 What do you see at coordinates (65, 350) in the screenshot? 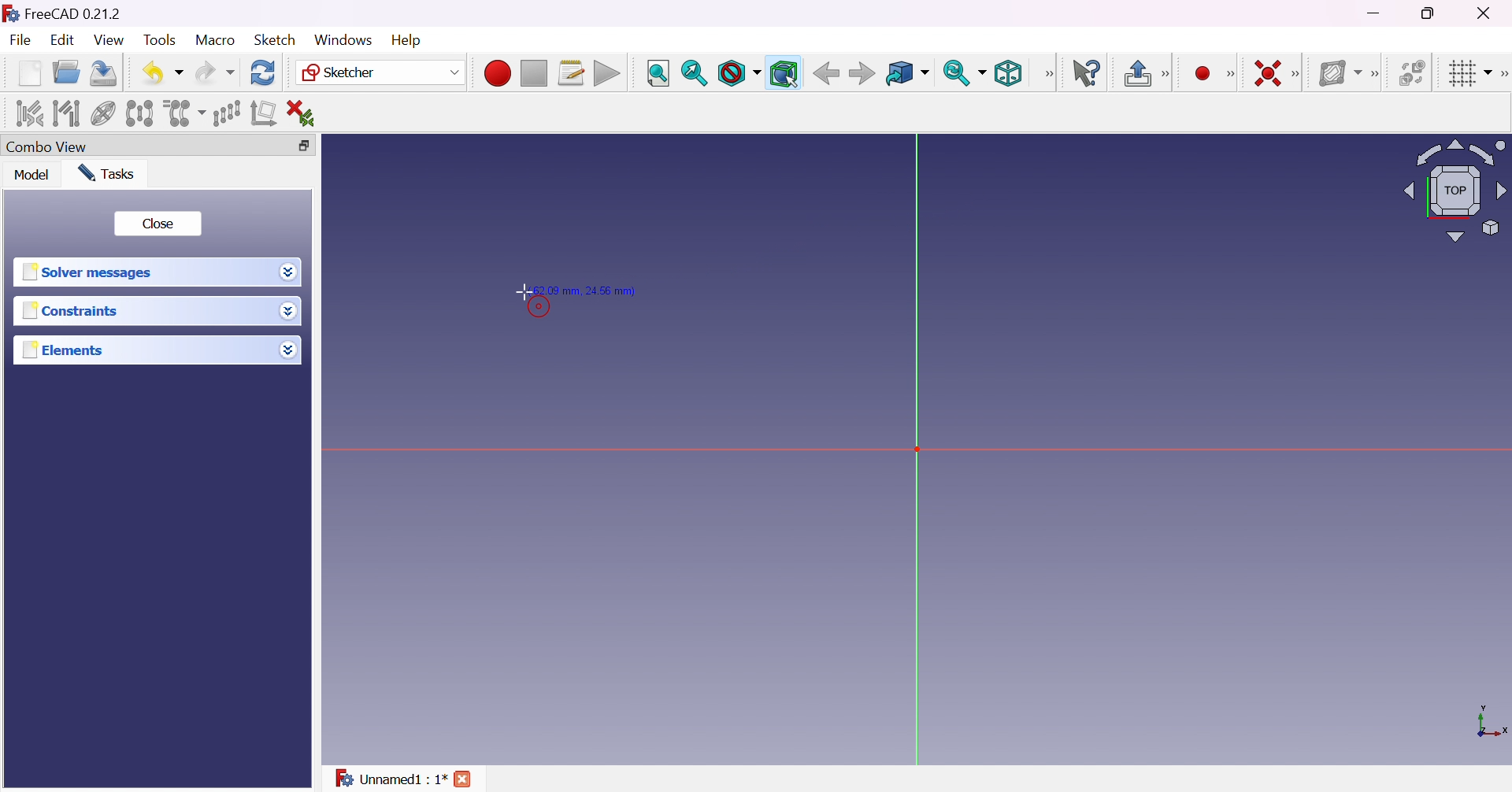
I see `Elements` at bounding box center [65, 350].